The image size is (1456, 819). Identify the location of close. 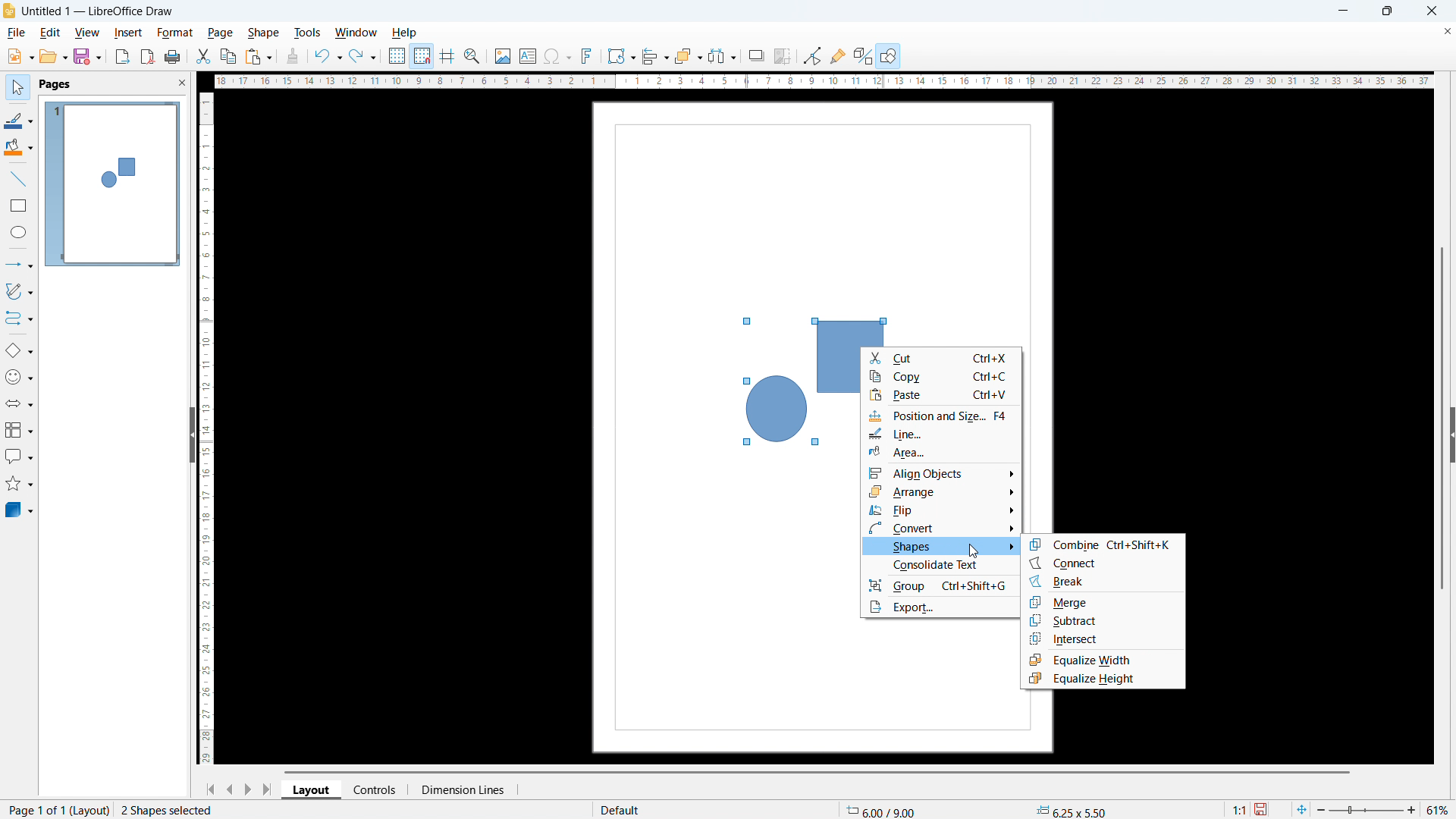
(1432, 11).